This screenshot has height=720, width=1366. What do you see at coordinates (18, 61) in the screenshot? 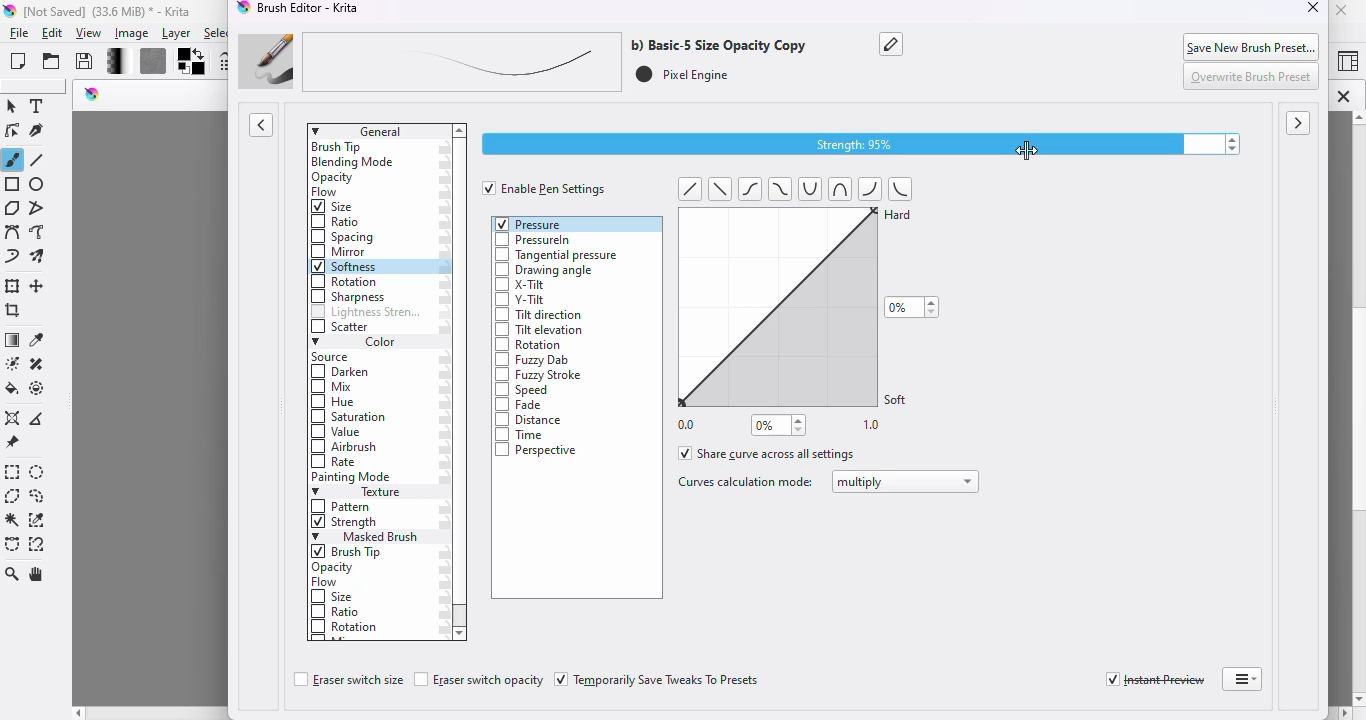
I see `create new document` at bounding box center [18, 61].